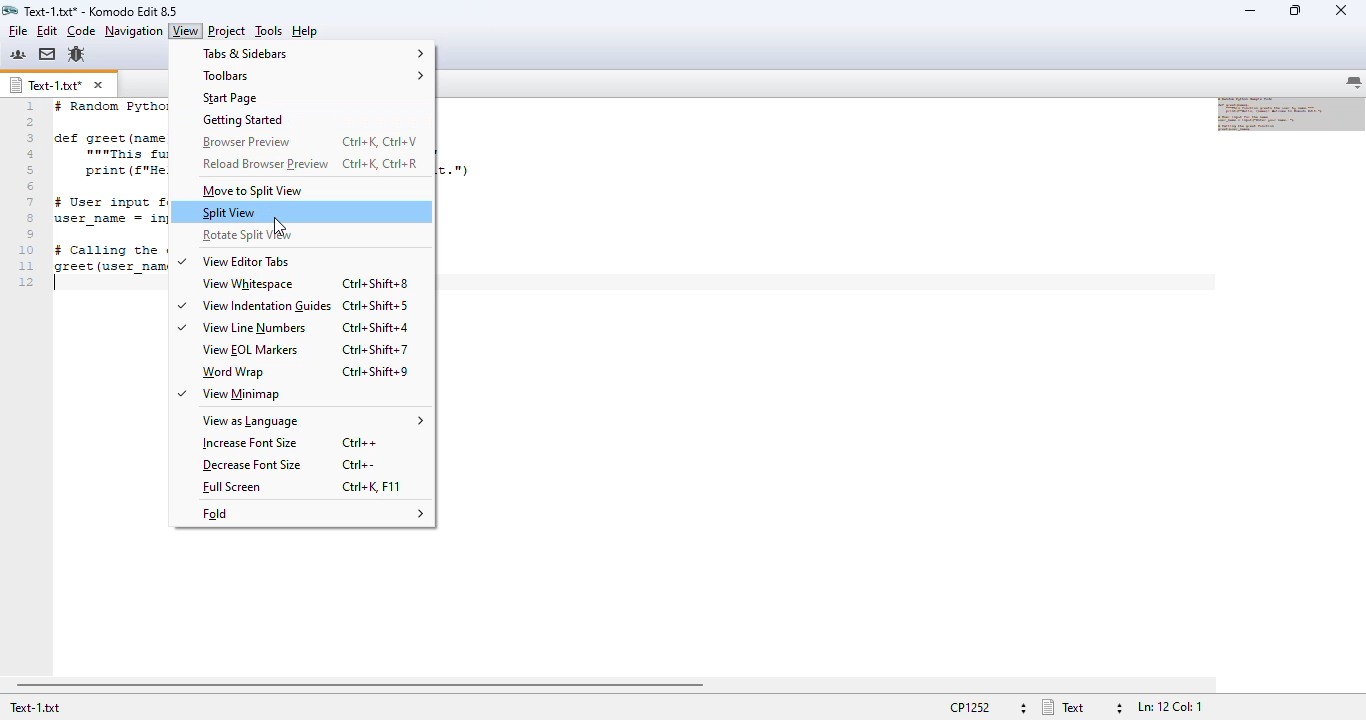  I want to click on navigation, so click(134, 31).